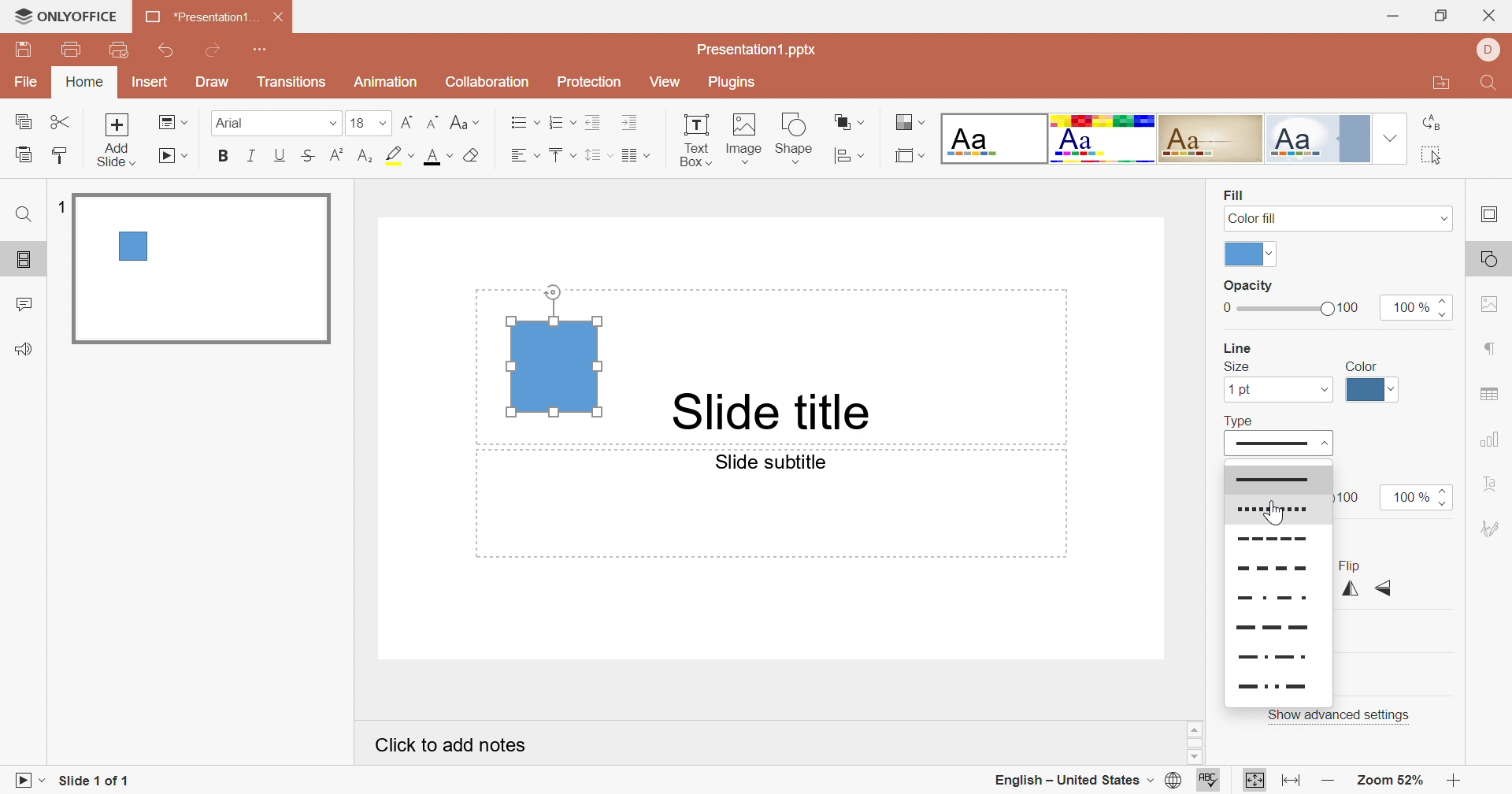 The image size is (1512, 794). Describe the element at coordinates (24, 51) in the screenshot. I see `Save` at that location.